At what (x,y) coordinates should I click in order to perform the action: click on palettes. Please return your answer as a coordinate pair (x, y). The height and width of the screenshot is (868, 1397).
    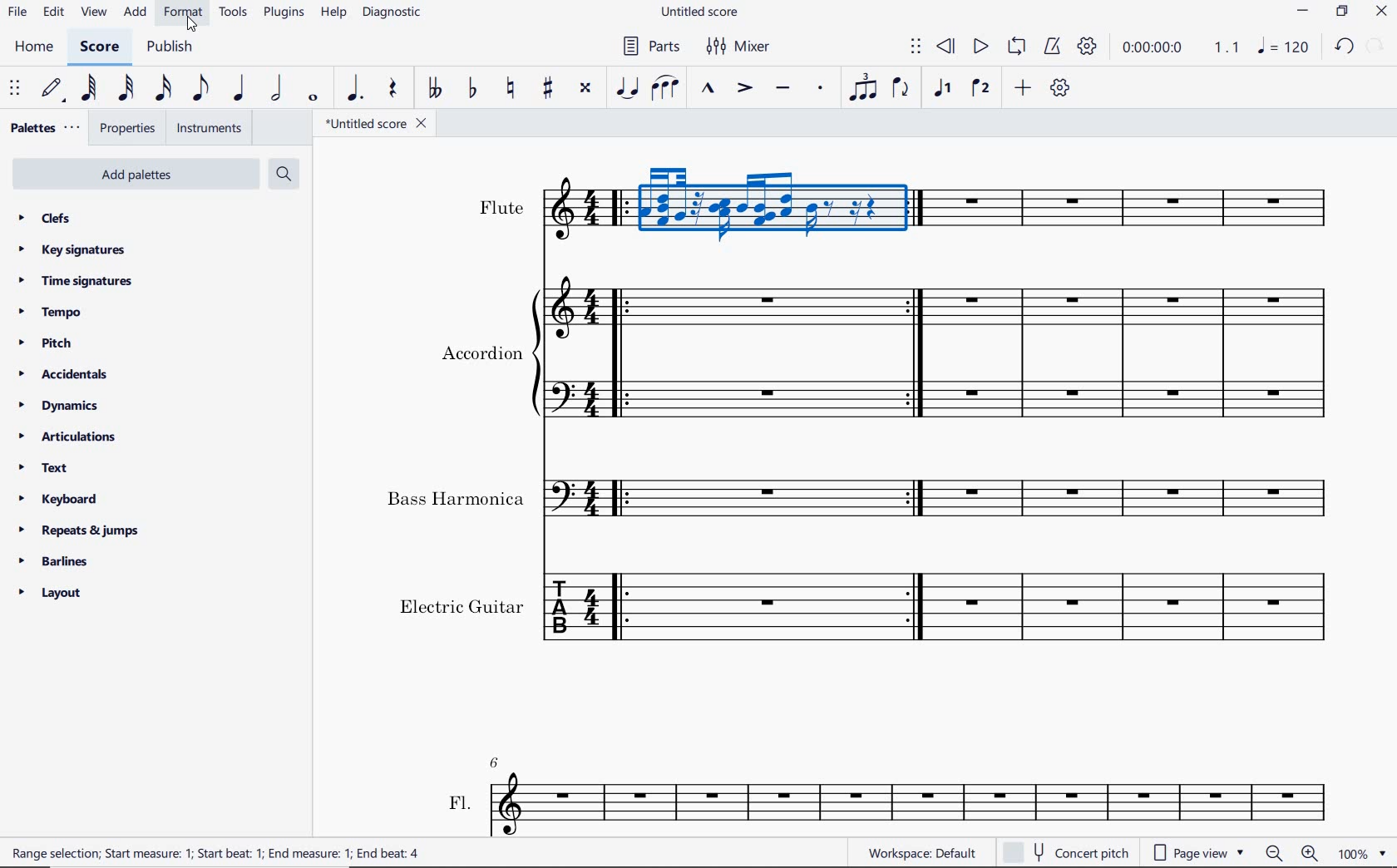
    Looking at the image, I should click on (43, 131).